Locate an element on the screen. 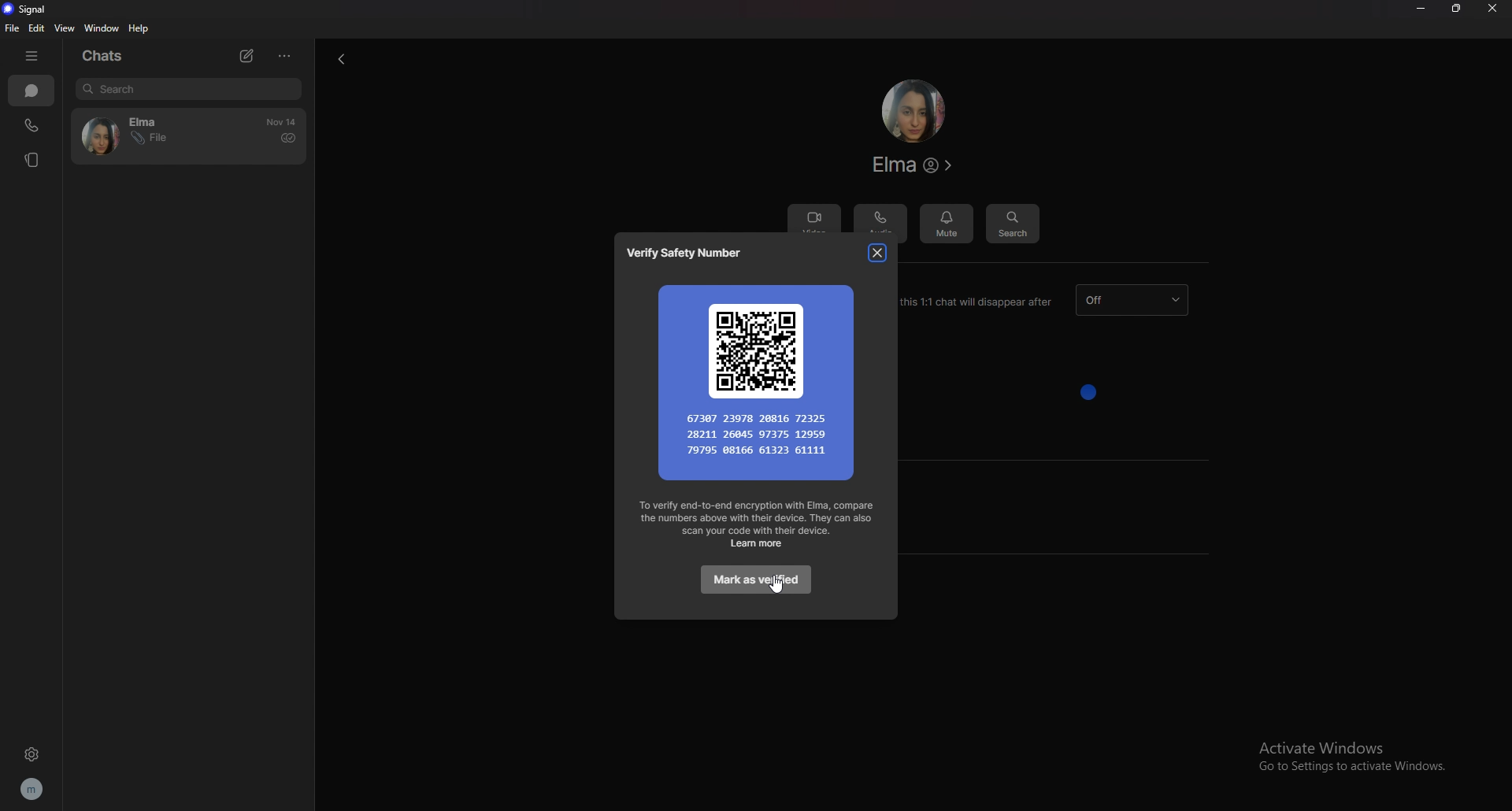 The width and height of the screenshot is (1512, 811). resize is located at coordinates (1456, 9).